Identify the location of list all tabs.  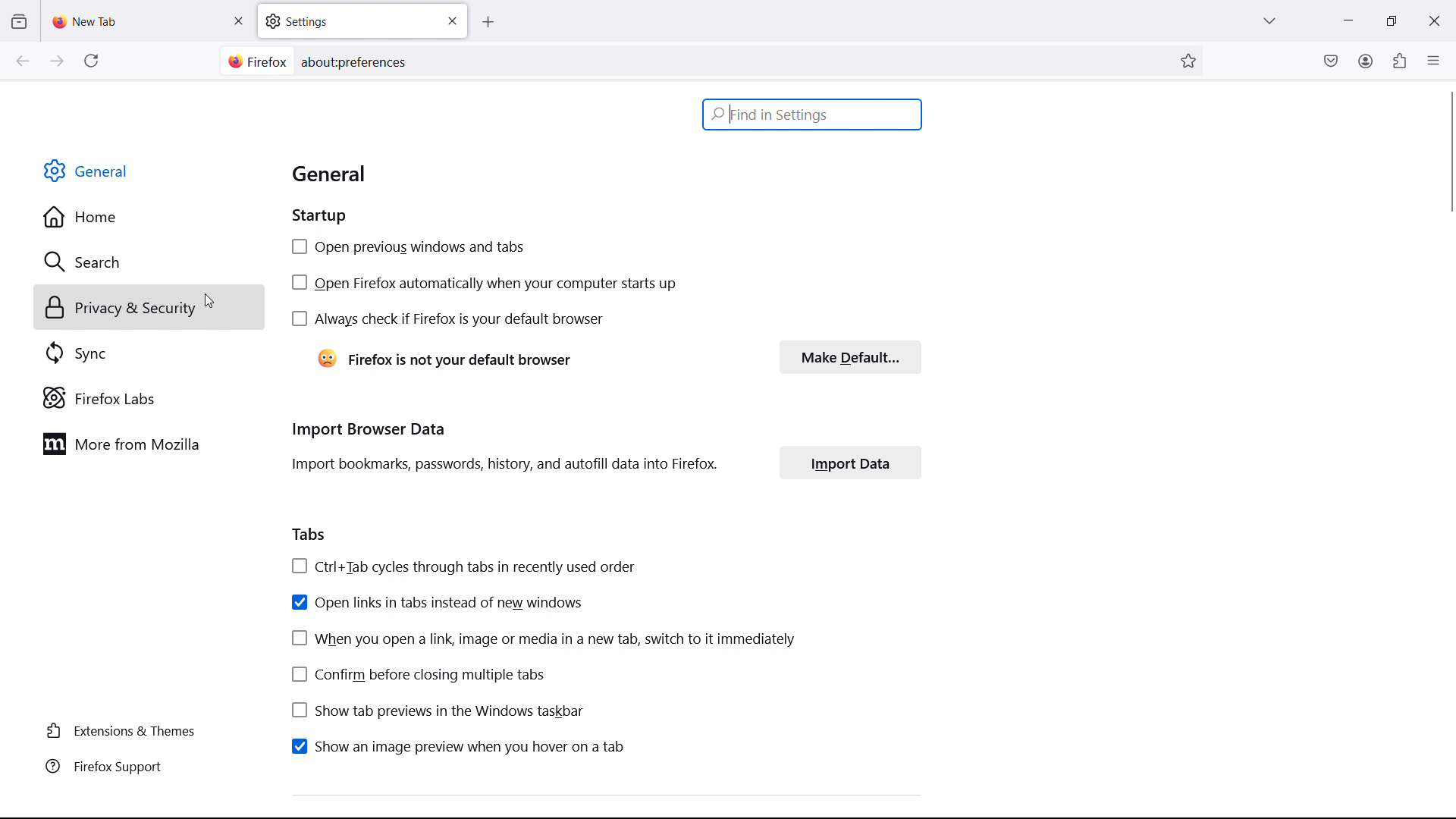
(1269, 19).